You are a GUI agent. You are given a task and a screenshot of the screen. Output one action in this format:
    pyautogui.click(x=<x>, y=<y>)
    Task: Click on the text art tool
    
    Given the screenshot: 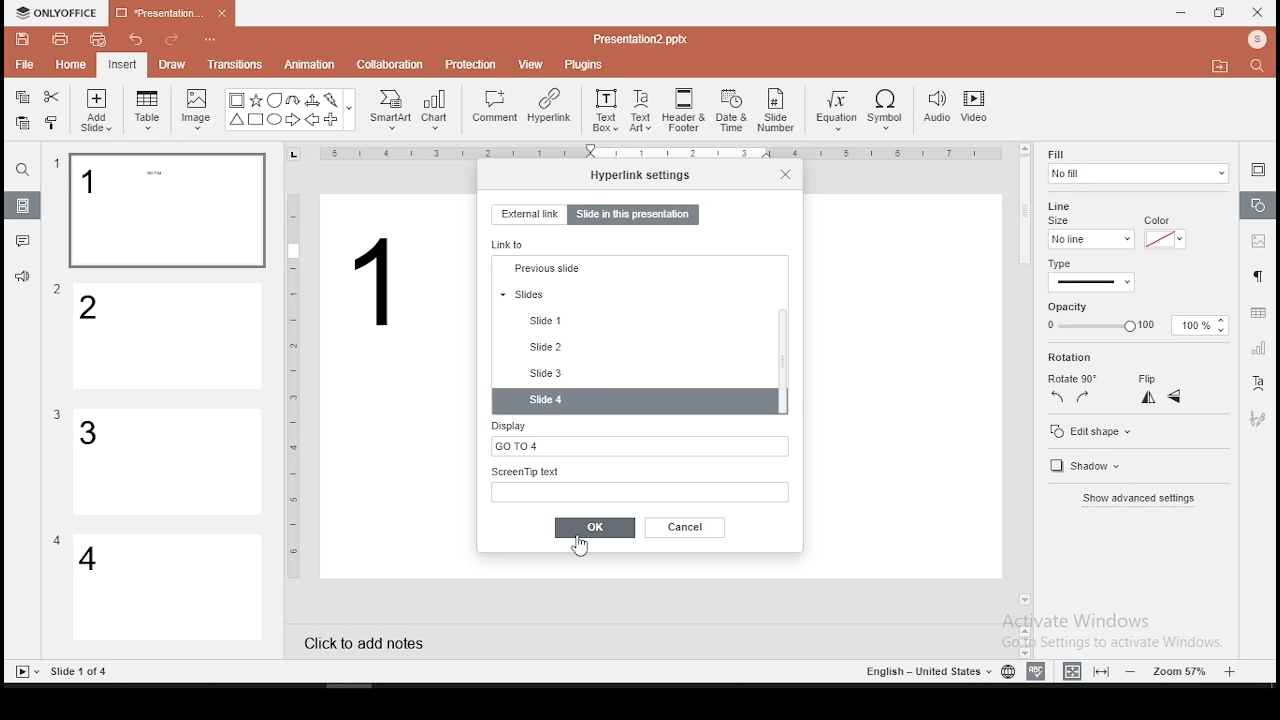 What is the action you would take?
    pyautogui.click(x=1257, y=384)
    